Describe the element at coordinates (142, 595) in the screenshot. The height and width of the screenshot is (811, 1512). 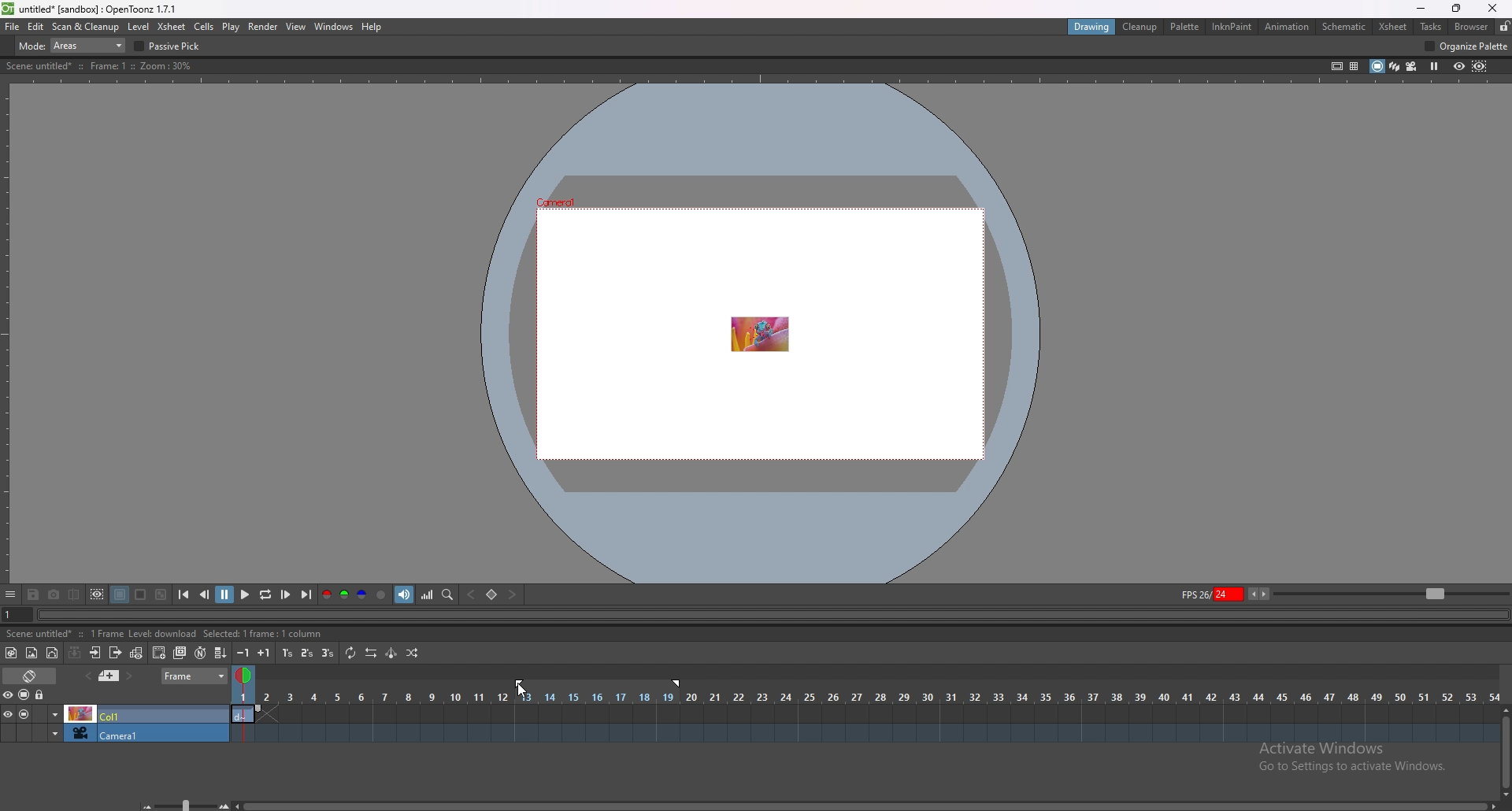
I see `white background` at that location.